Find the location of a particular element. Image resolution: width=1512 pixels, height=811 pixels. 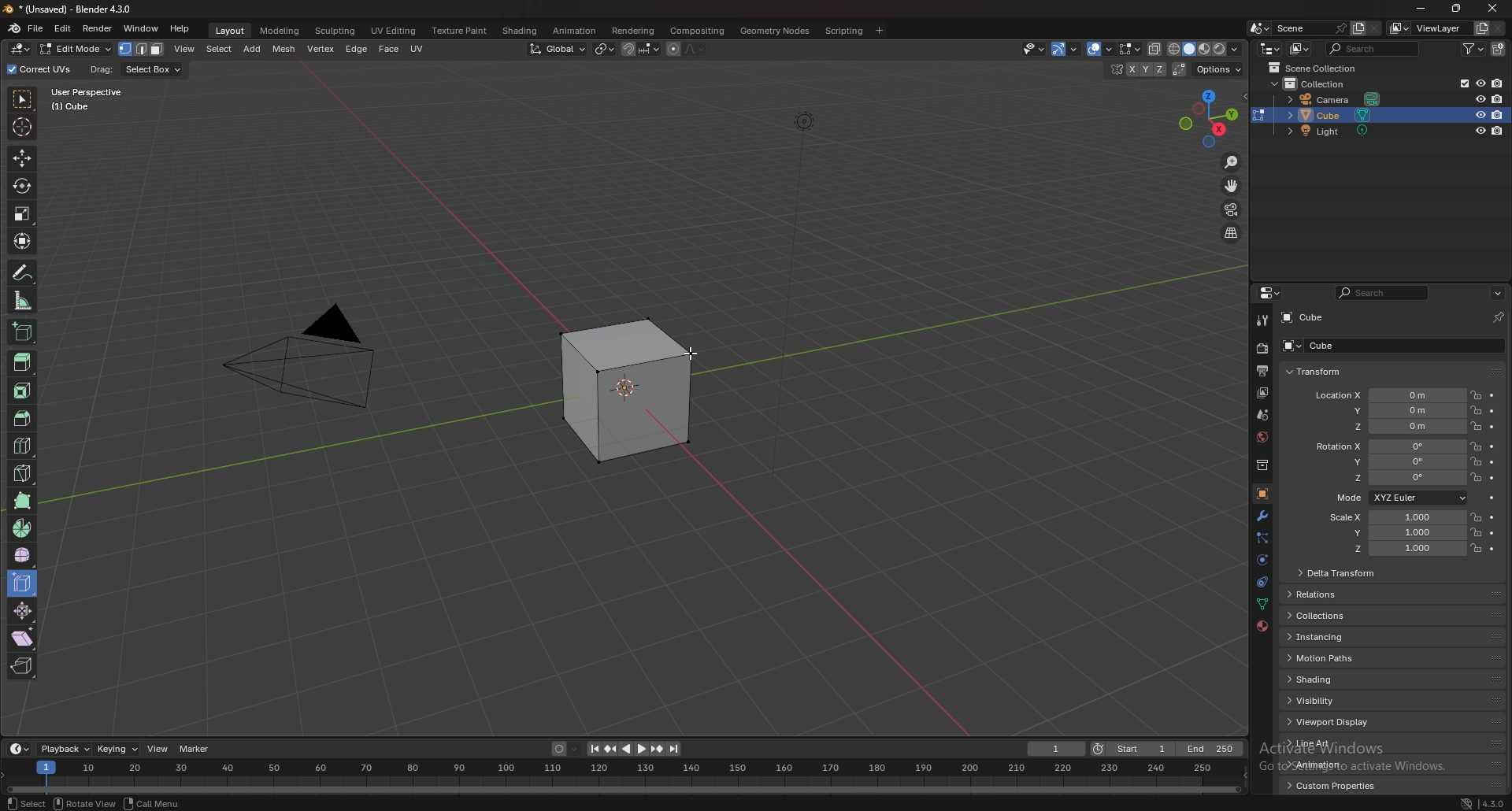

tool is located at coordinates (1262, 320).